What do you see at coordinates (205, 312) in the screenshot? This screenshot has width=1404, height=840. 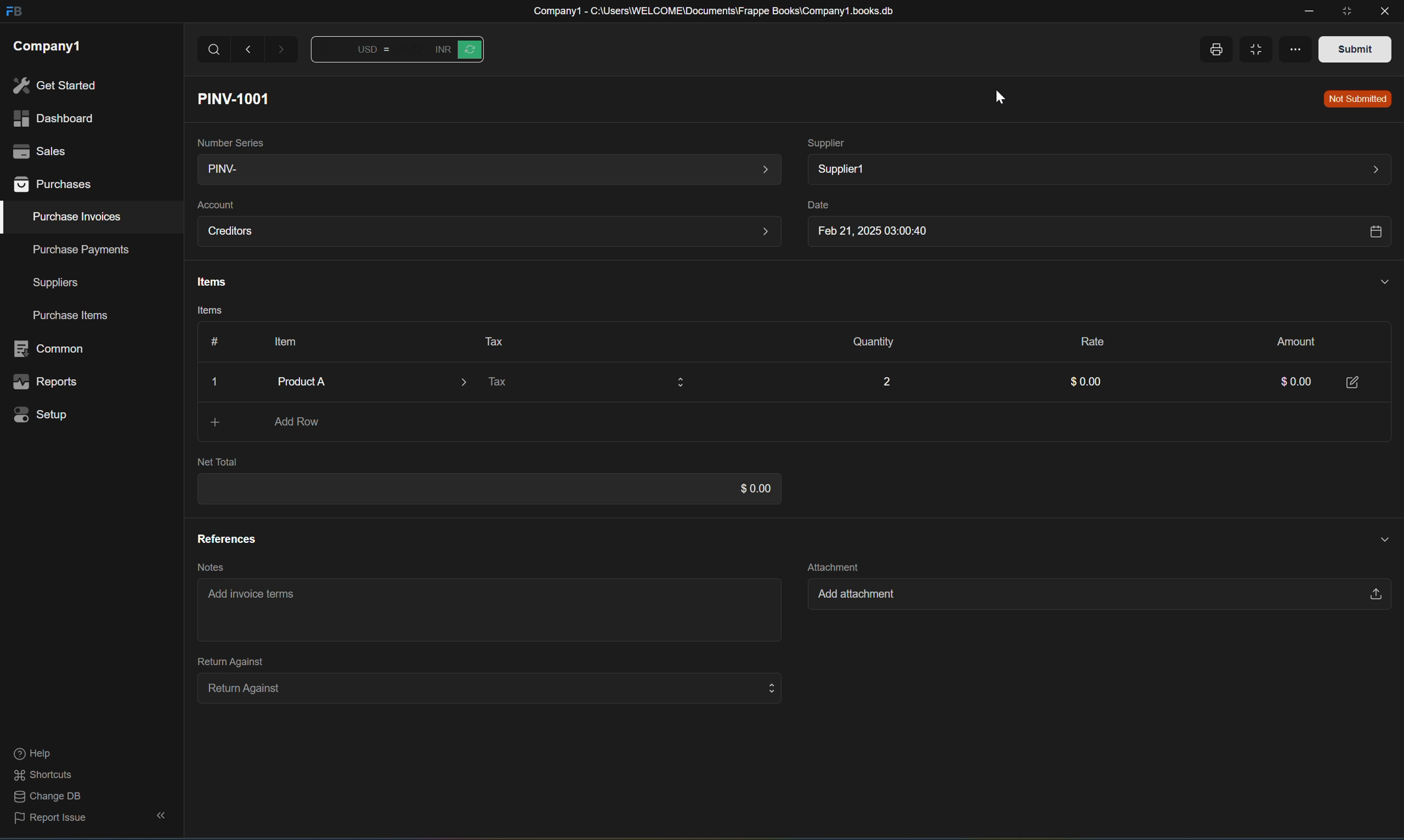 I see `Items` at bounding box center [205, 312].